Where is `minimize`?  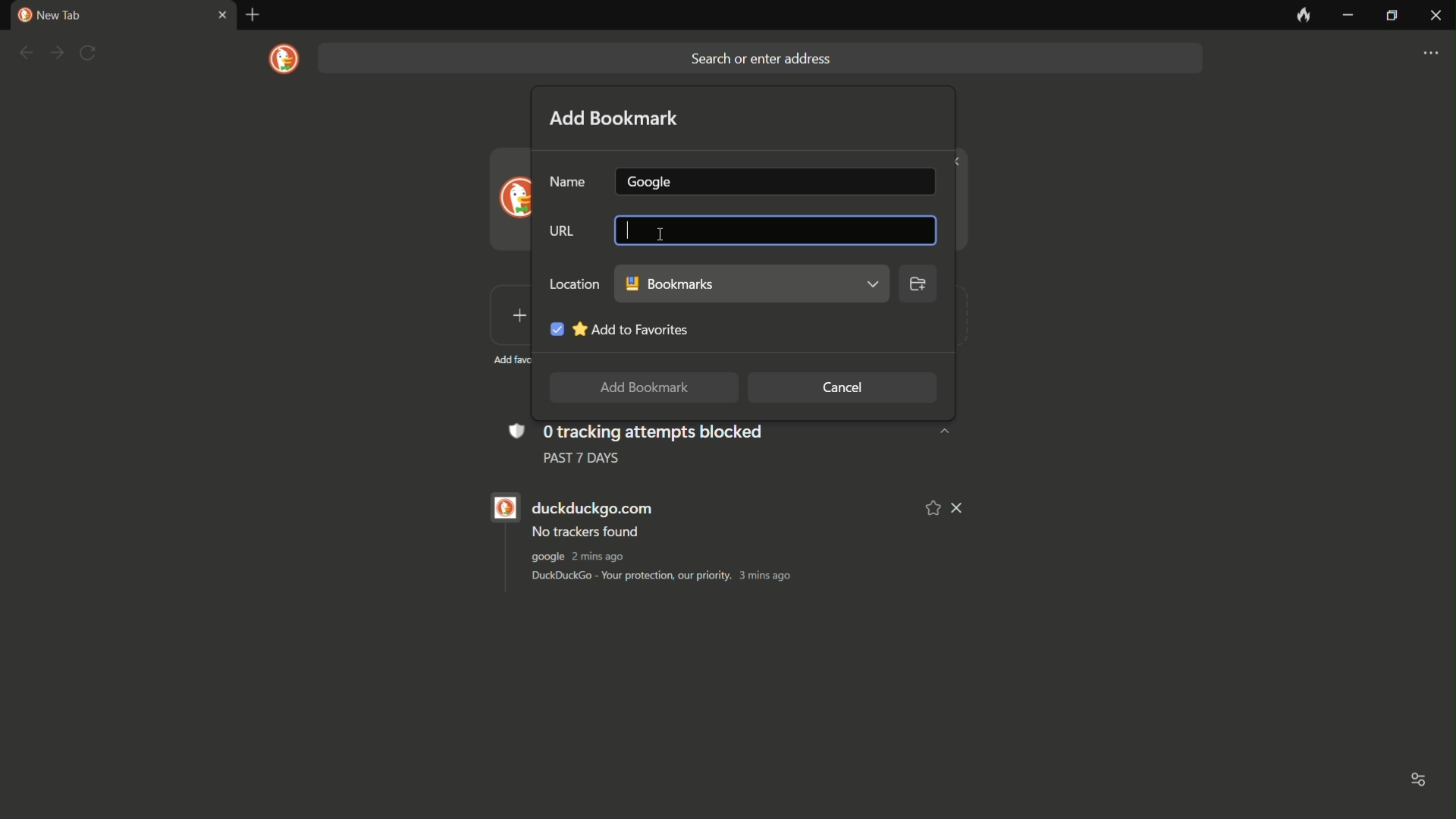
minimize is located at coordinates (1348, 16).